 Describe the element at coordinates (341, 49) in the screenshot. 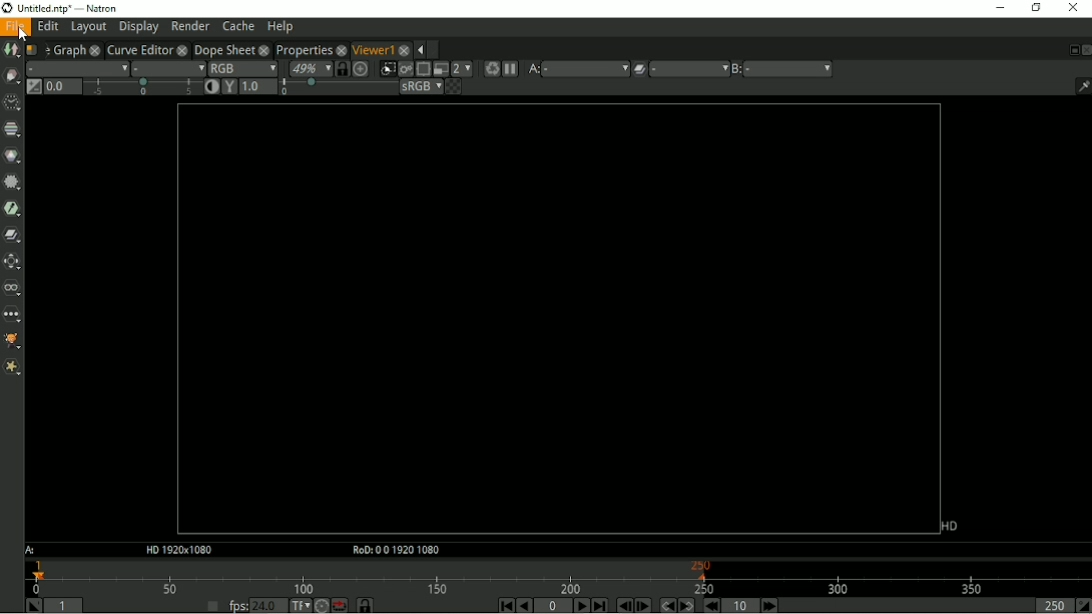

I see `close` at that location.